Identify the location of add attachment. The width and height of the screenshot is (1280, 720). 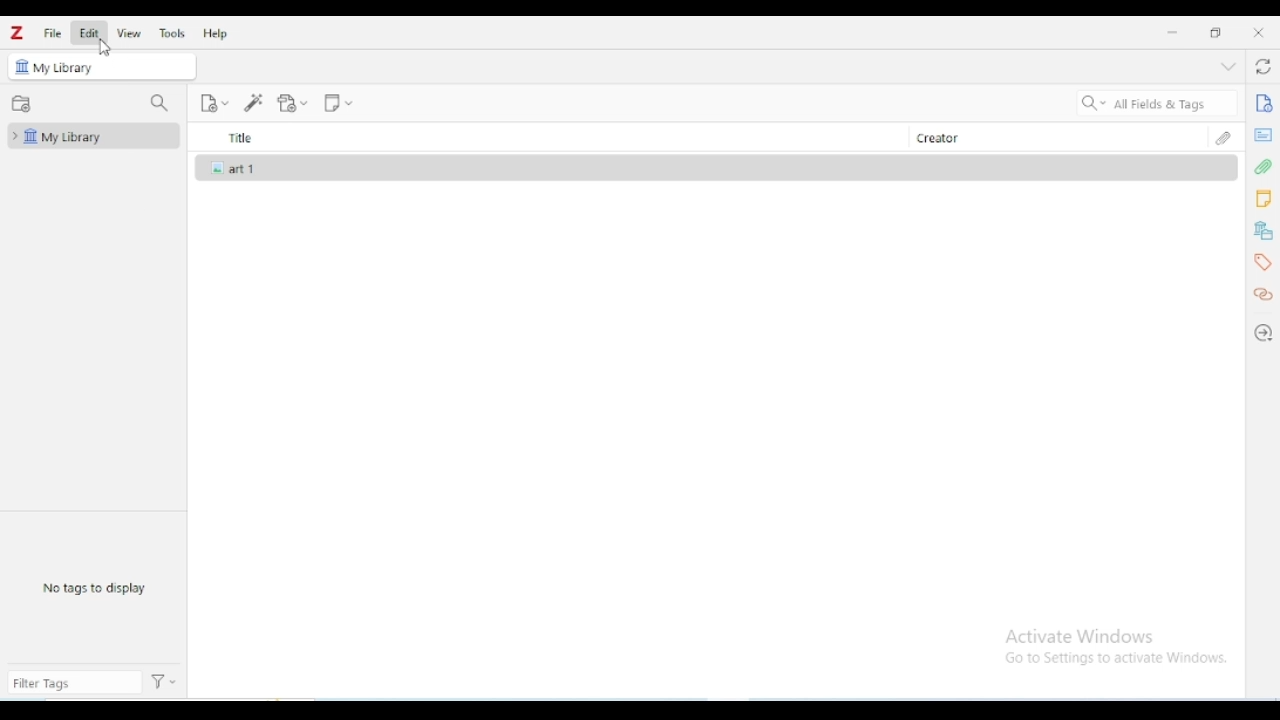
(292, 103).